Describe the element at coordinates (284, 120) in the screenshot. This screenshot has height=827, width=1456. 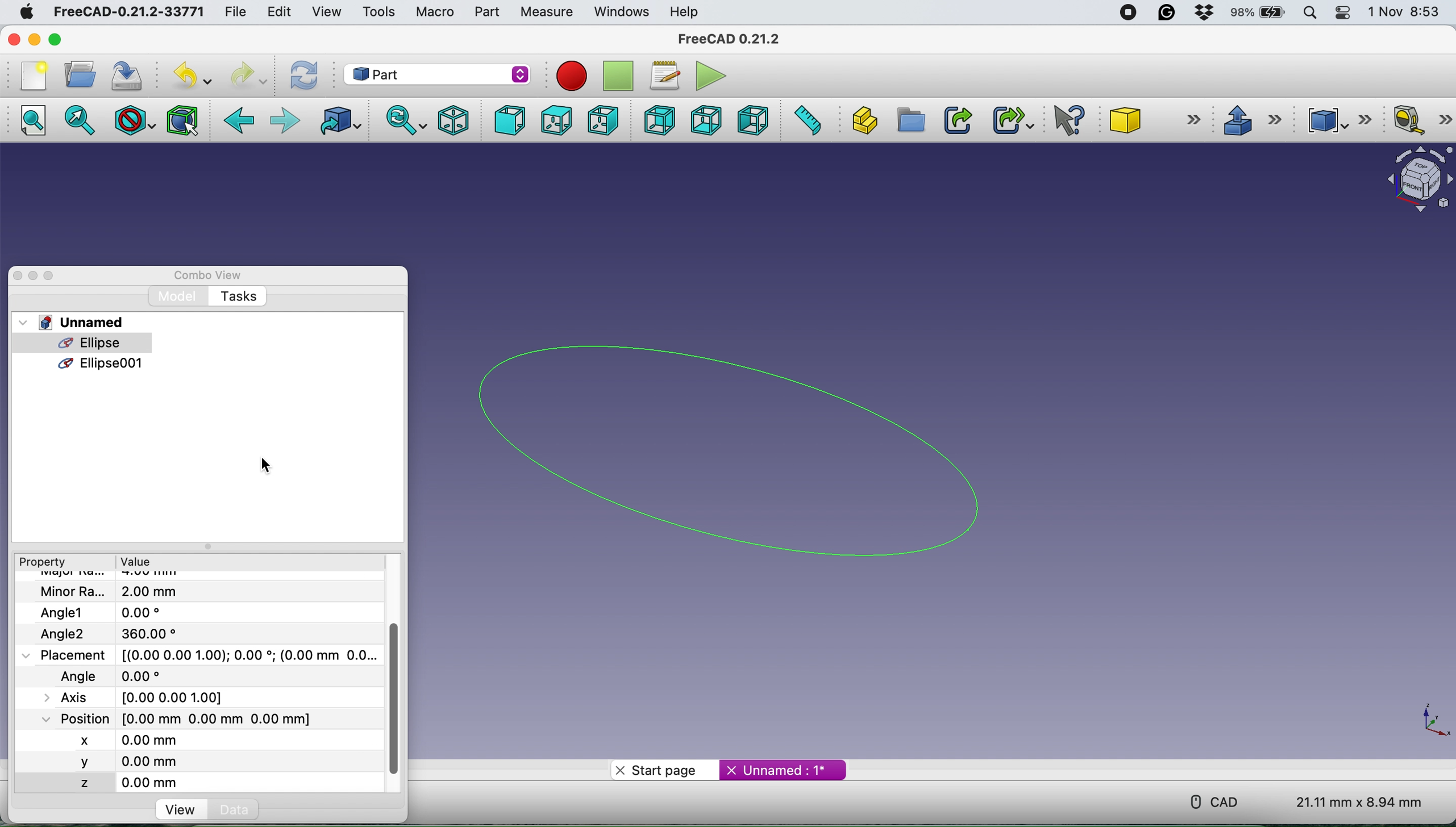
I see `foward` at that location.